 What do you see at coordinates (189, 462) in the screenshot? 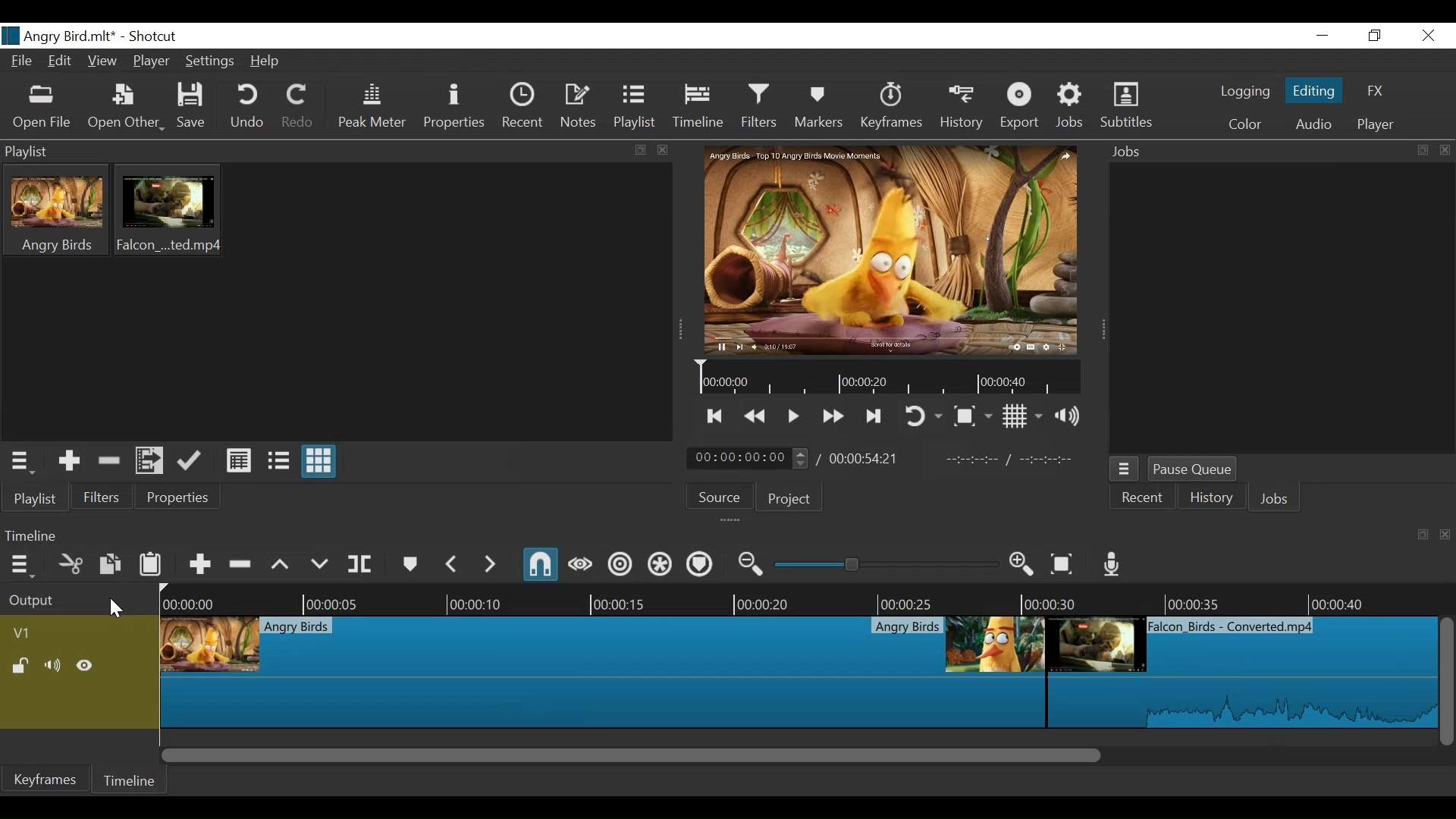
I see `Update` at bounding box center [189, 462].